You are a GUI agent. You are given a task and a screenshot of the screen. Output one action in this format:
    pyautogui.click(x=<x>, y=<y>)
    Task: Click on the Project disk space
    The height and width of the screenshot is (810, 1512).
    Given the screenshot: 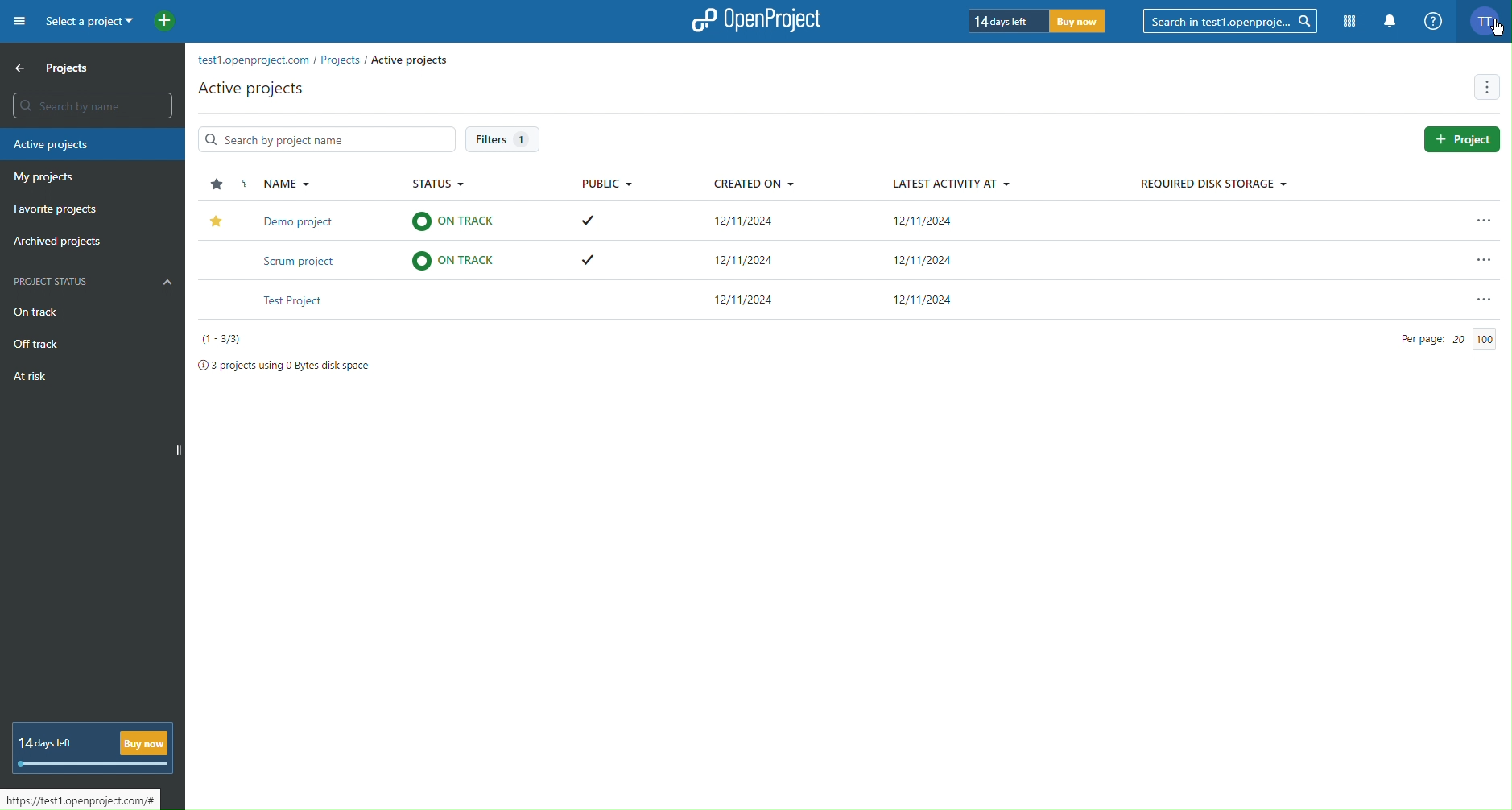 What is the action you would take?
    pyautogui.click(x=284, y=365)
    